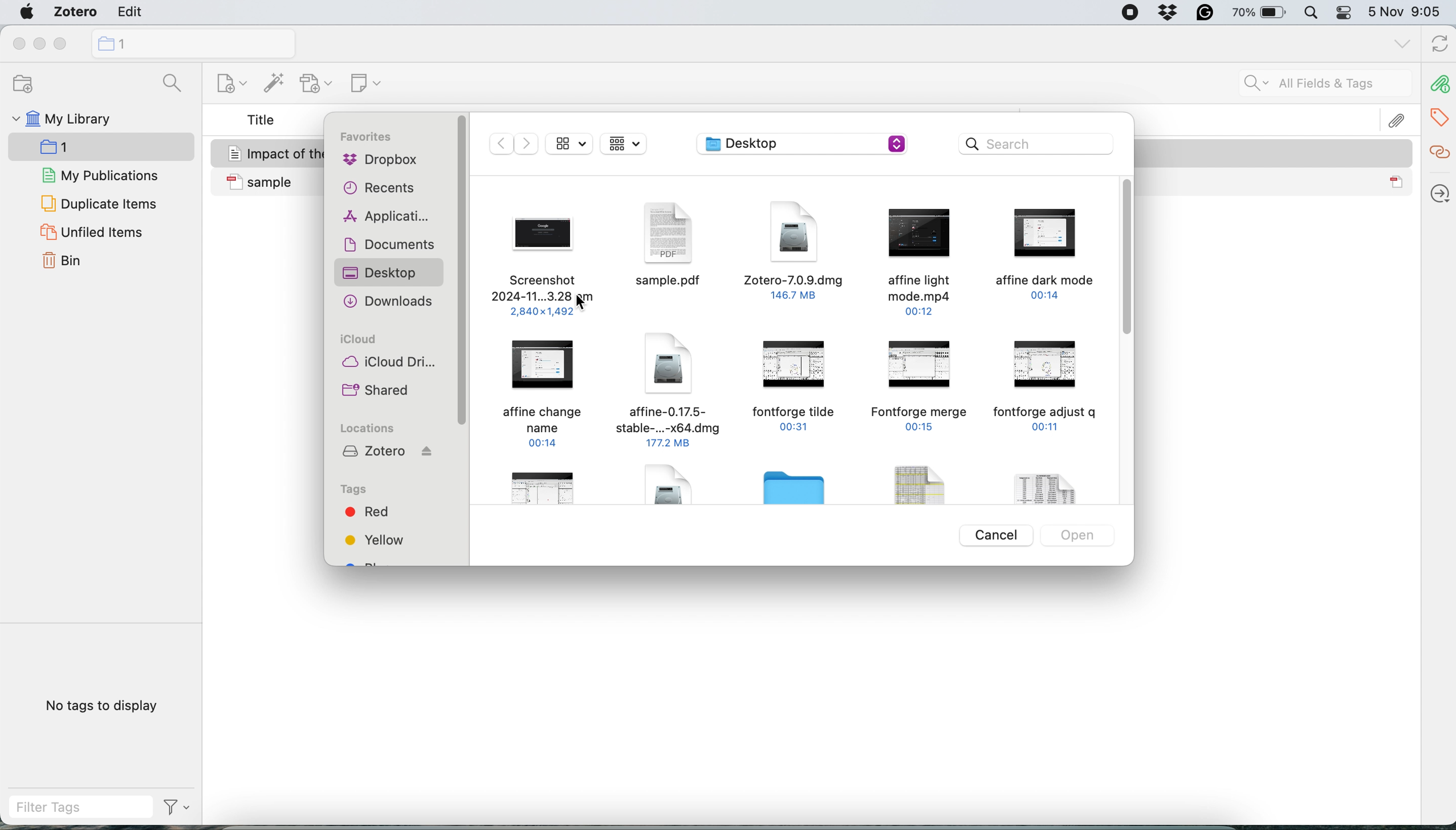 This screenshot has height=830, width=1456. What do you see at coordinates (1400, 44) in the screenshot?
I see `list all tabs` at bounding box center [1400, 44].